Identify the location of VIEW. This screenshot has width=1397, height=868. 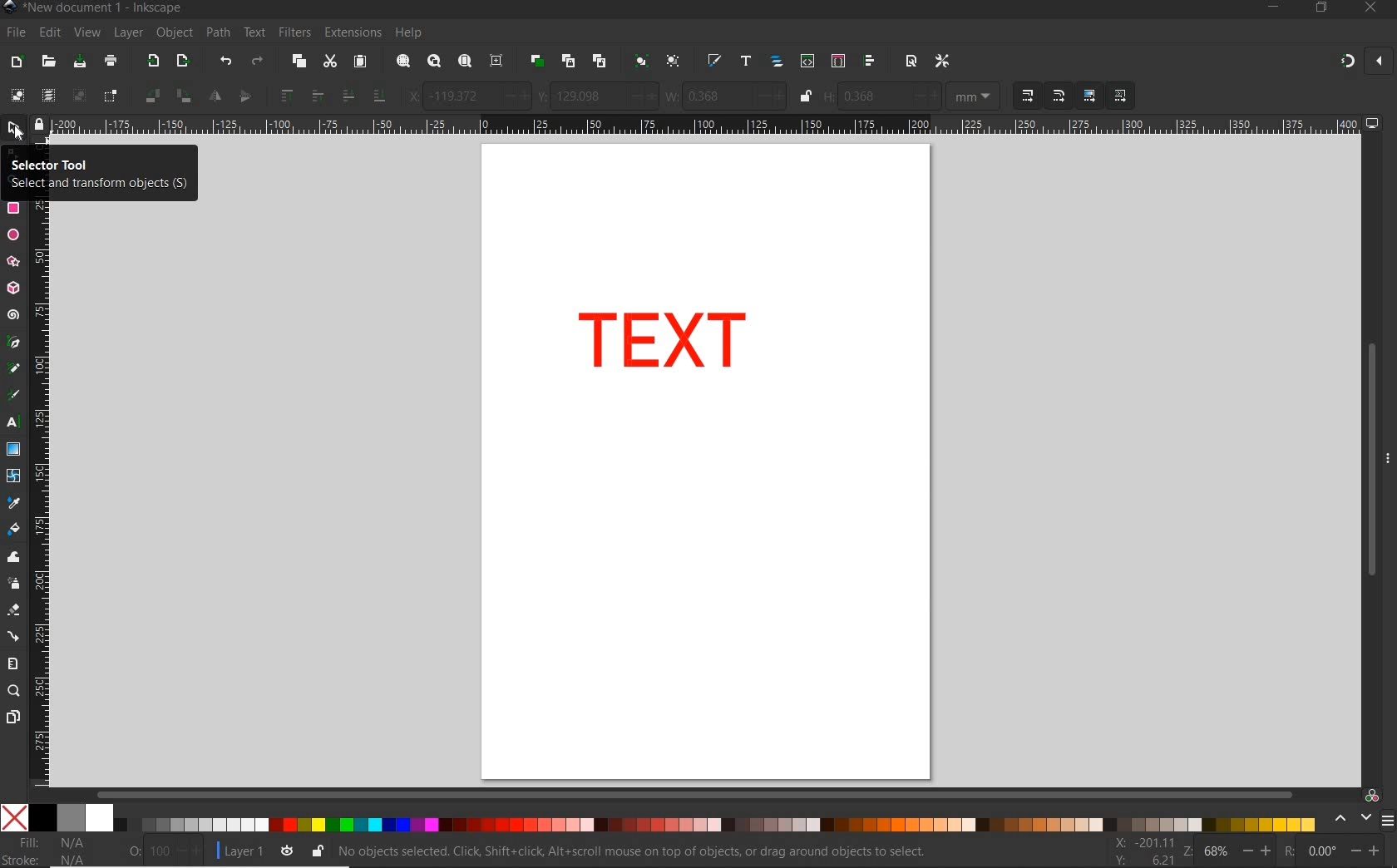
(86, 33).